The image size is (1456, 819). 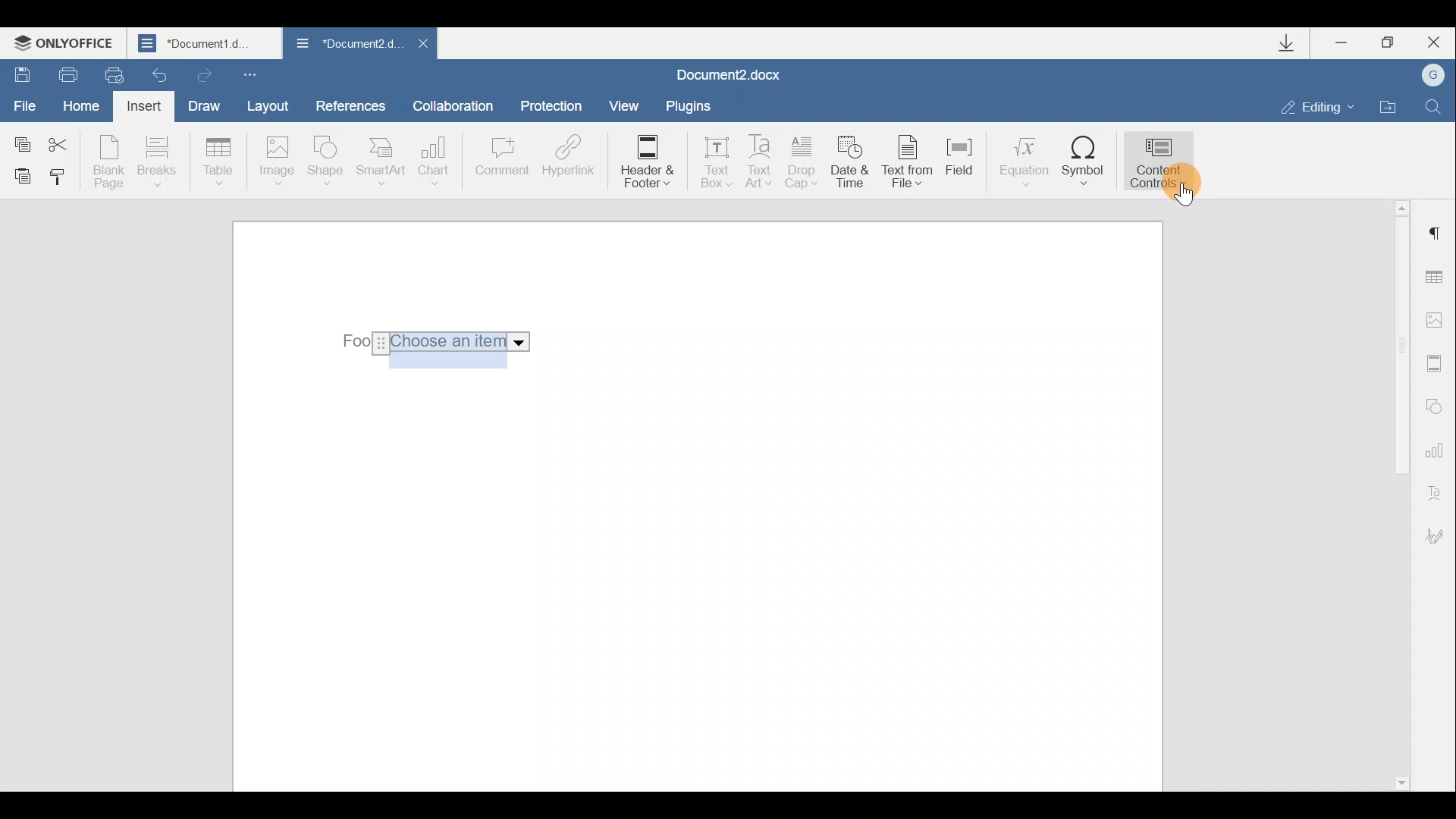 What do you see at coordinates (67, 142) in the screenshot?
I see `Cut` at bounding box center [67, 142].